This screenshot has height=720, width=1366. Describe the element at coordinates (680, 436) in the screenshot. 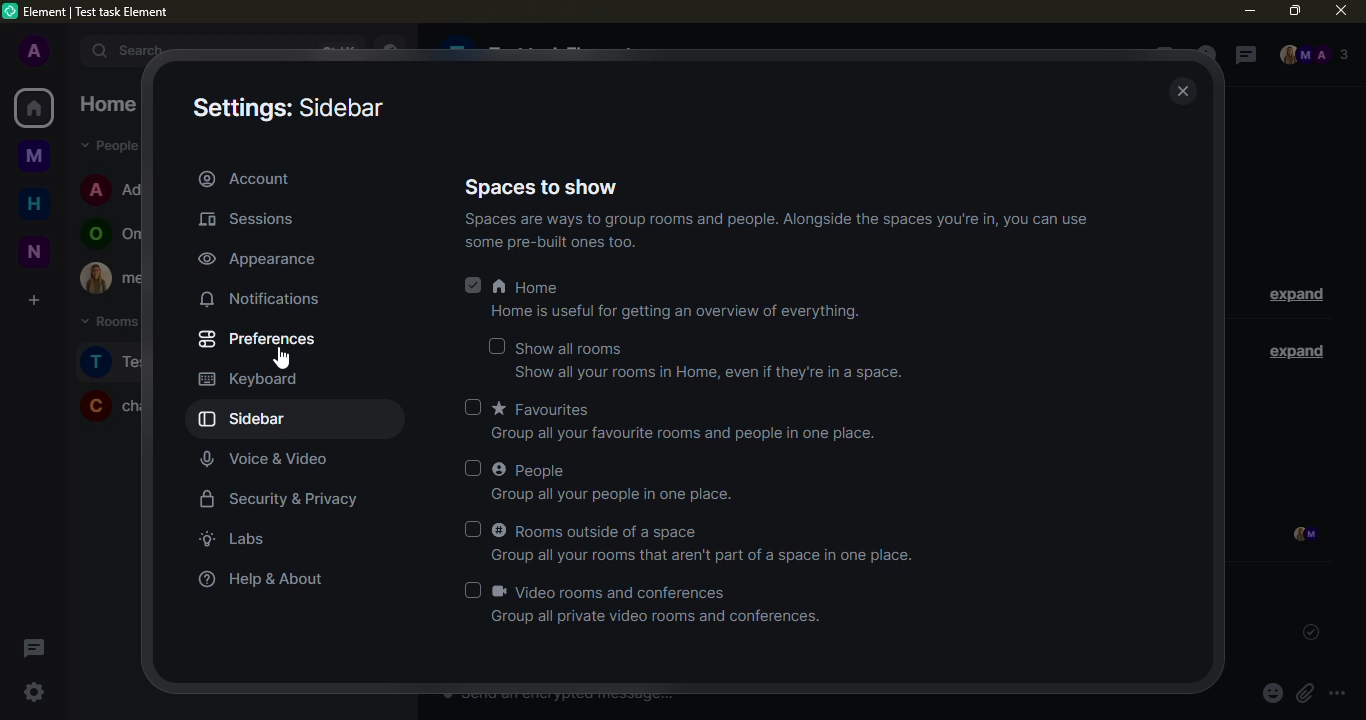

I see `info` at that location.